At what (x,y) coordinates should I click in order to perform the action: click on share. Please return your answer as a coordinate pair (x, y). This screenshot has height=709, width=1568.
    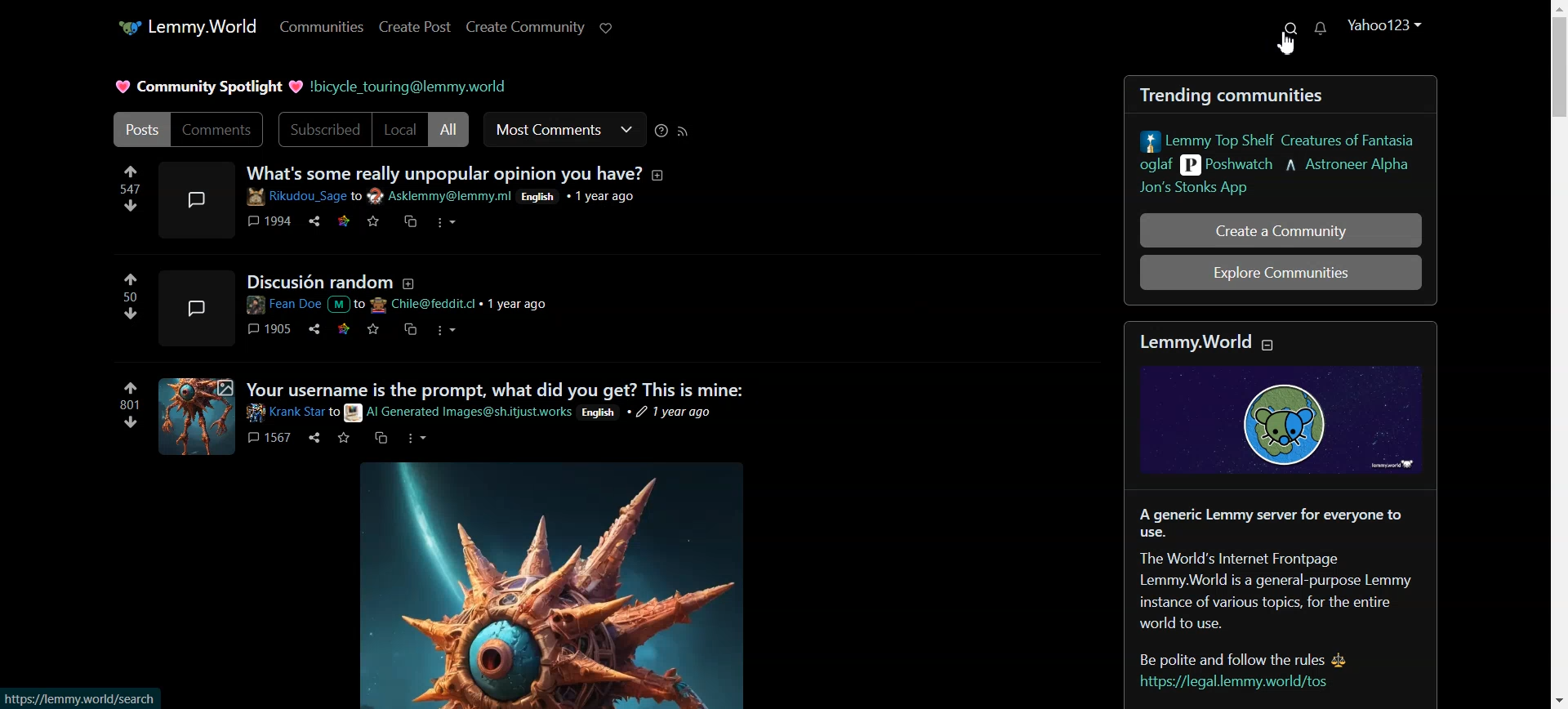
    Looking at the image, I should click on (313, 436).